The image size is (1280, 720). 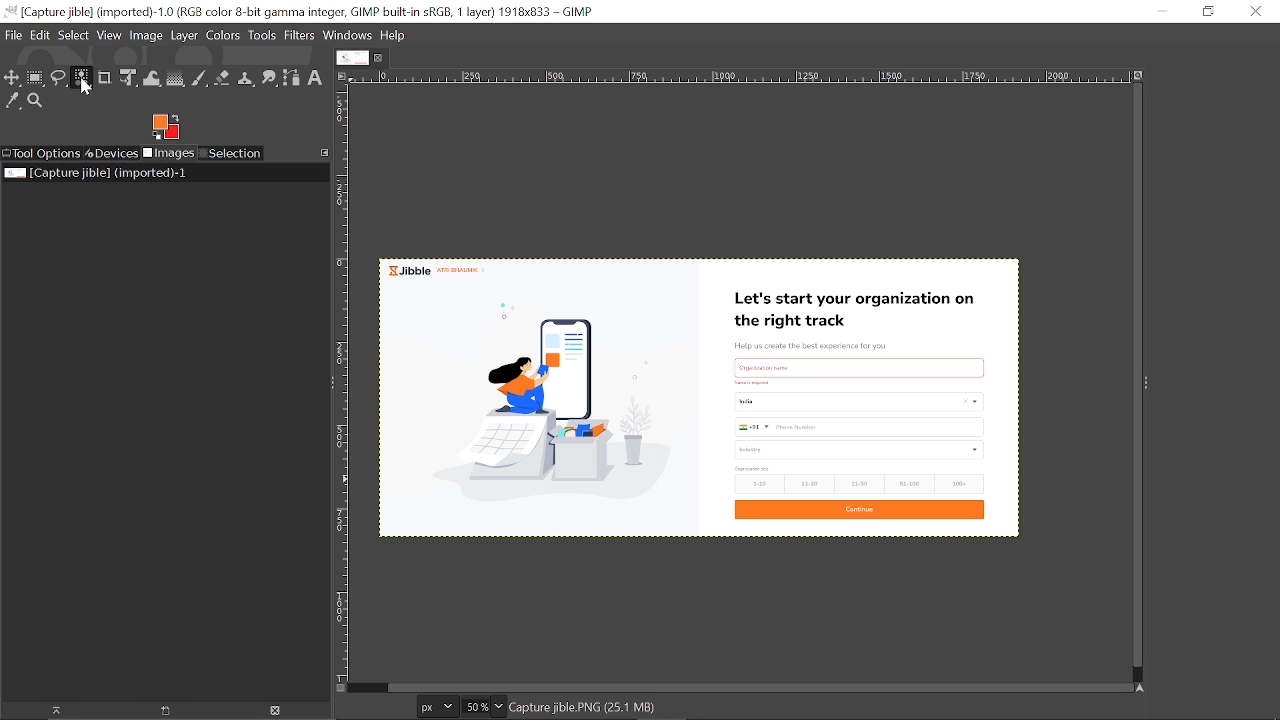 What do you see at coordinates (245, 78) in the screenshot?
I see `Clone tool` at bounding box center [245, 78].